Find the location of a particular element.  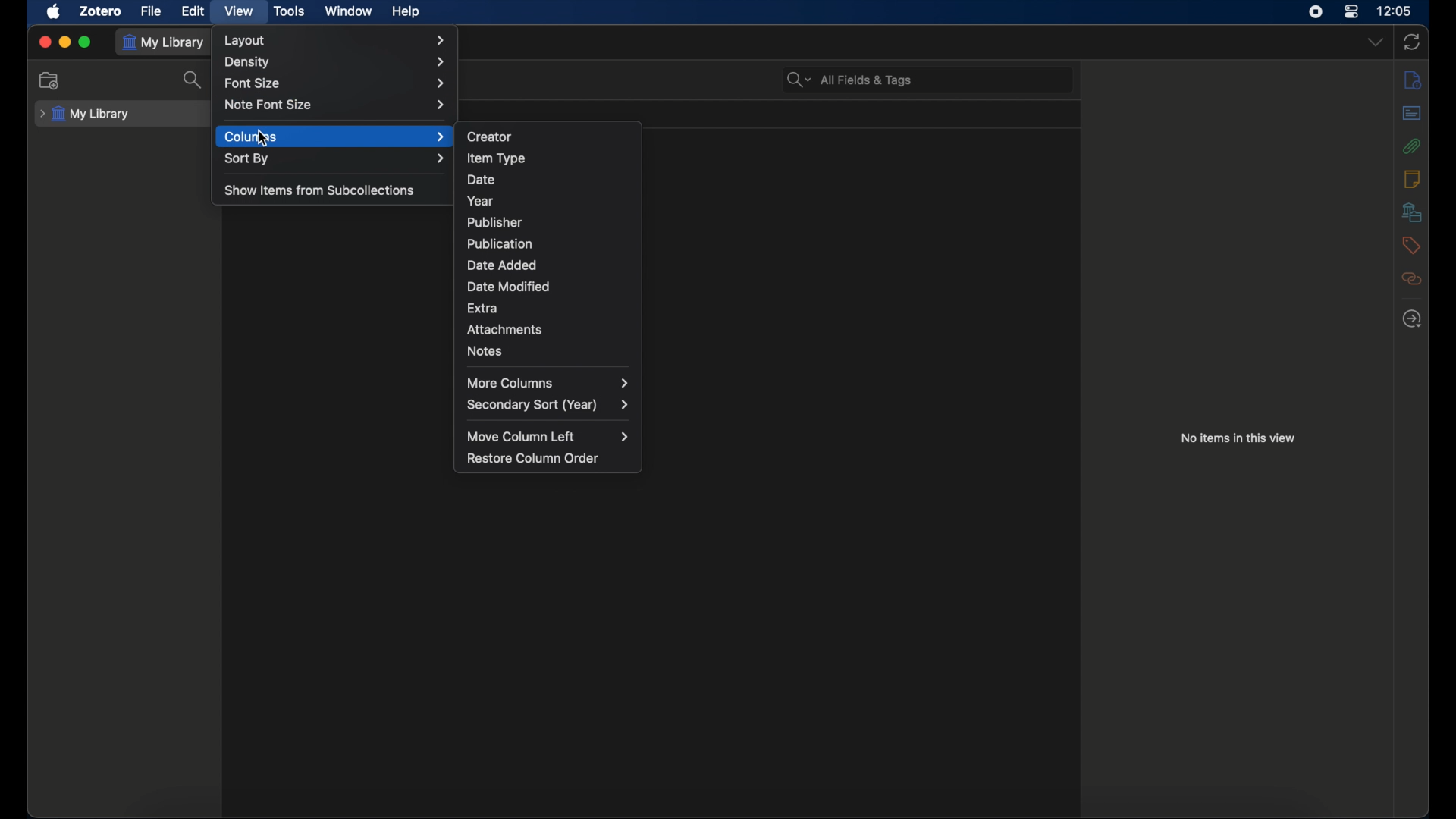

my library is located at coordinates (83, 115).